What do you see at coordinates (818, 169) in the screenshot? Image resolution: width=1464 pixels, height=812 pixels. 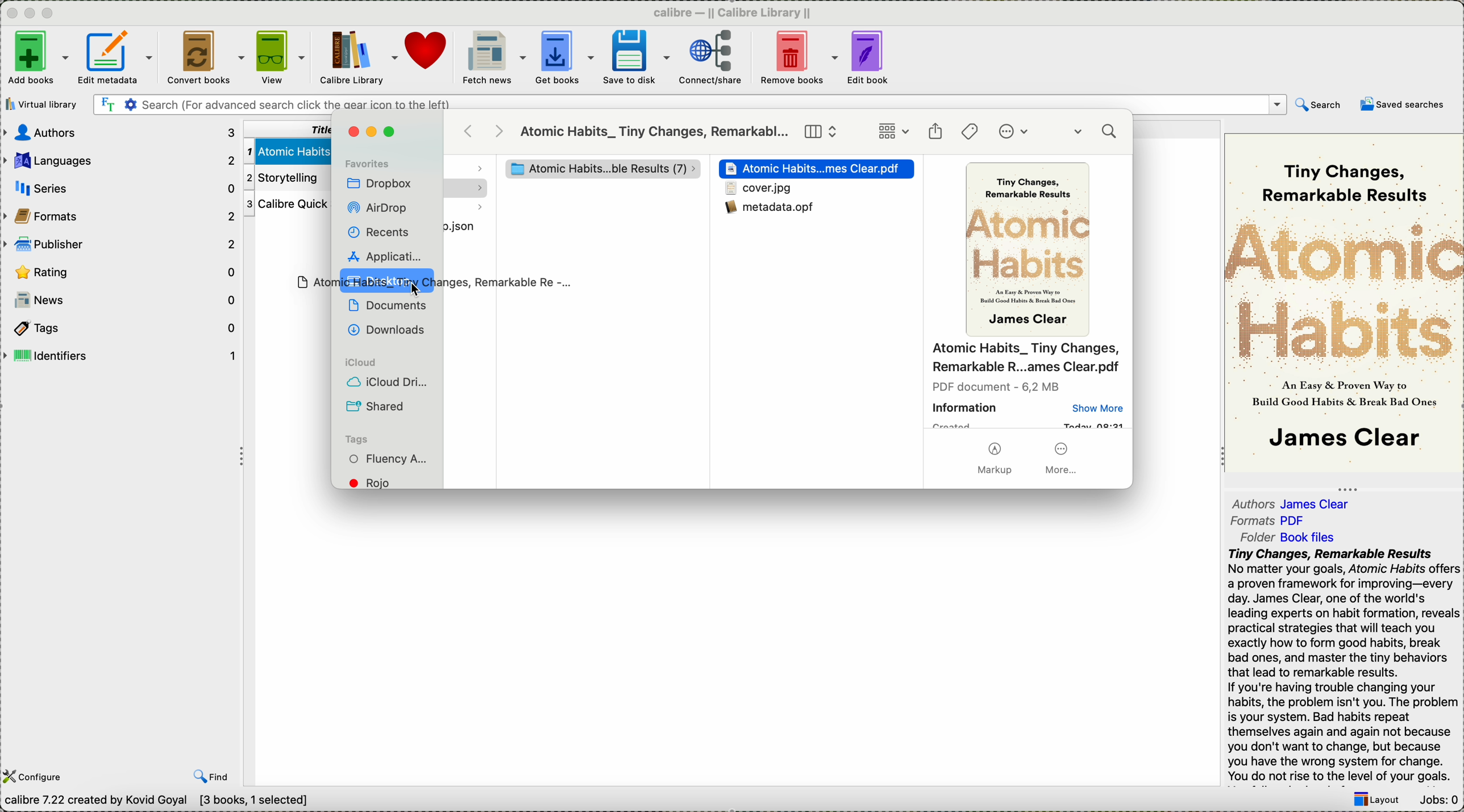 I see `Atomic Habbits` at bounding box center [818, 169].